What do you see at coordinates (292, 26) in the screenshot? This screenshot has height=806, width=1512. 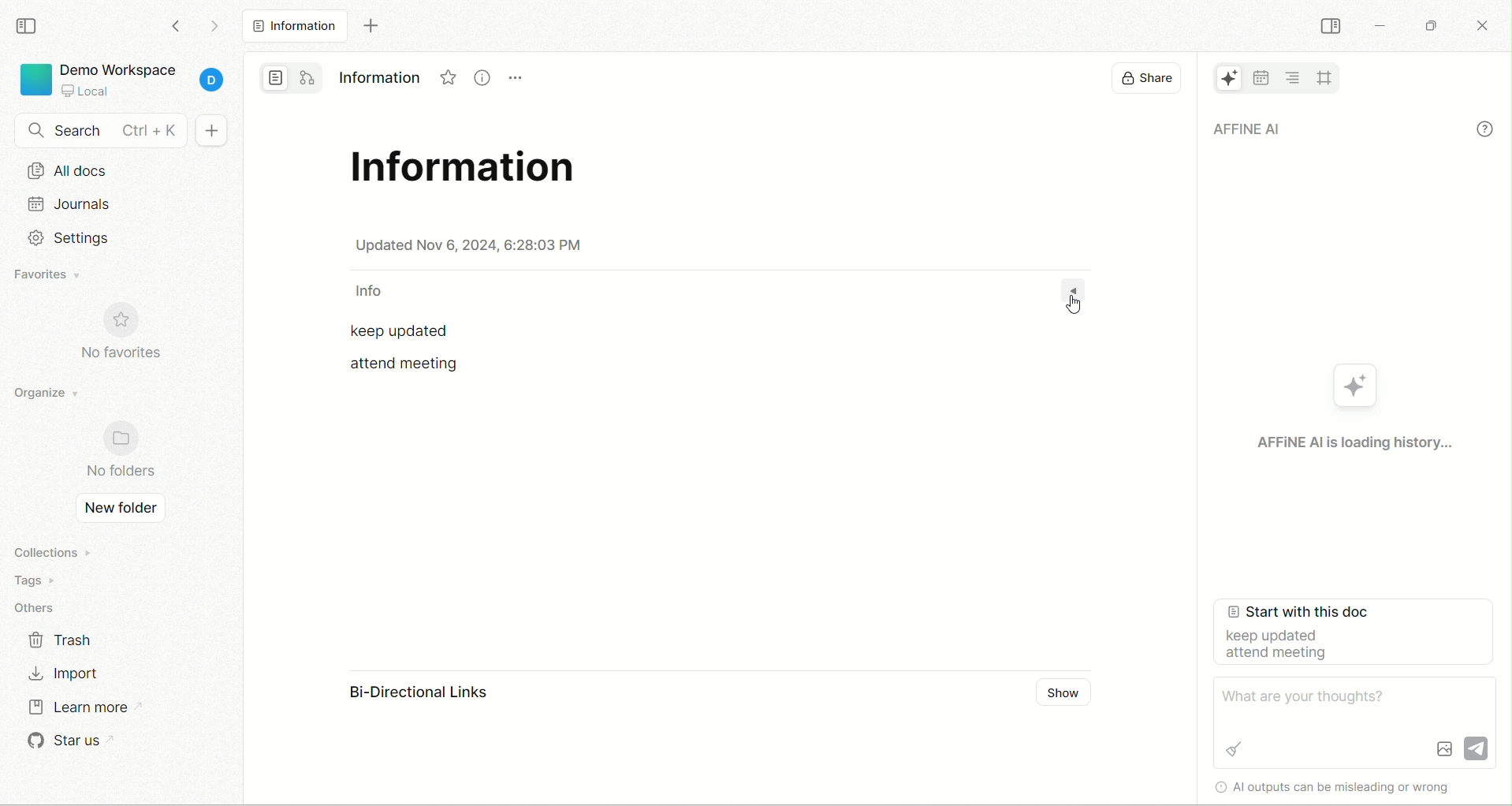 I see `all docs` at bounding box center [292, 26].